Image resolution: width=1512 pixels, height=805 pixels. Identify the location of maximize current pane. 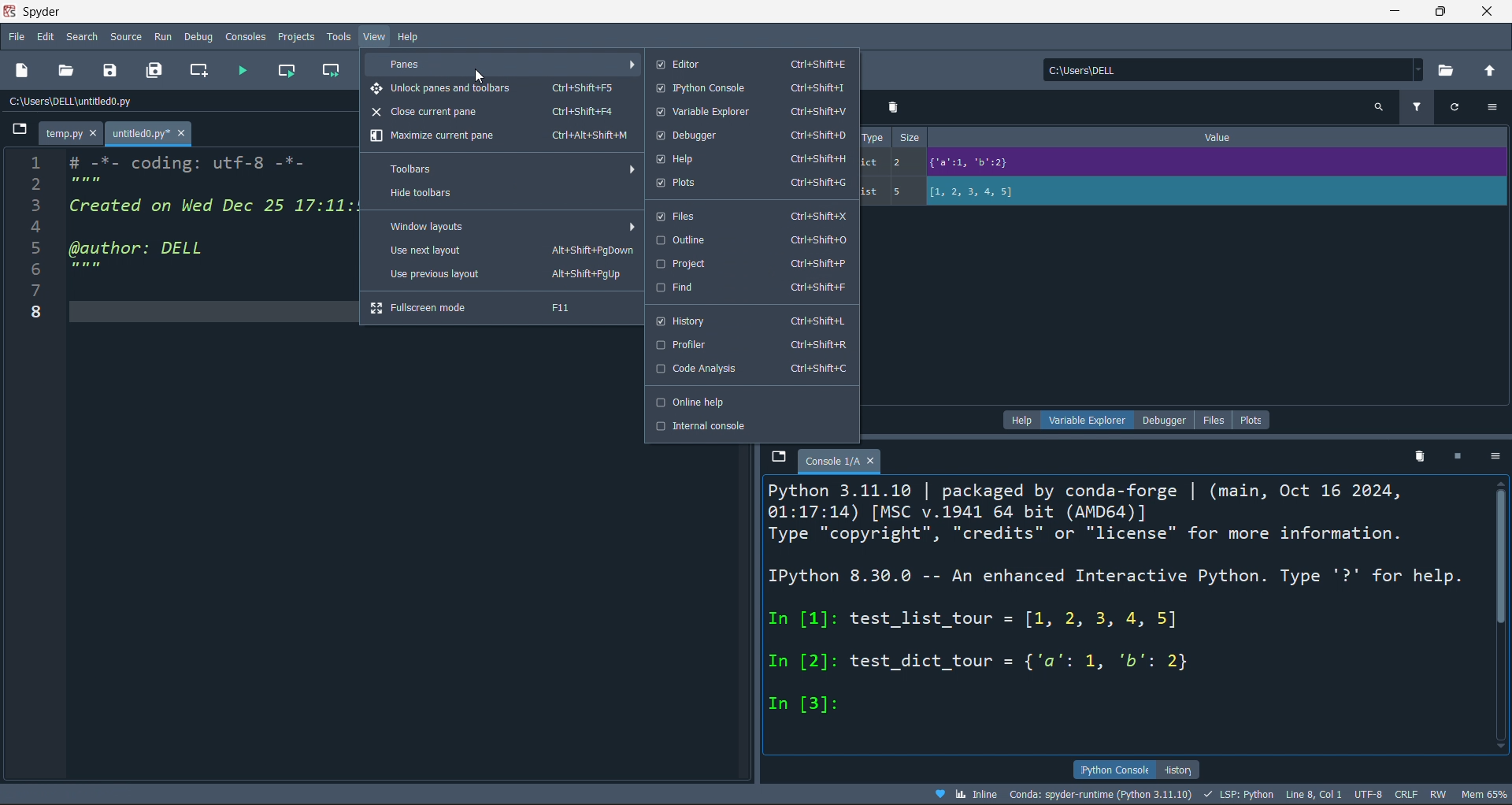
(499, 138).